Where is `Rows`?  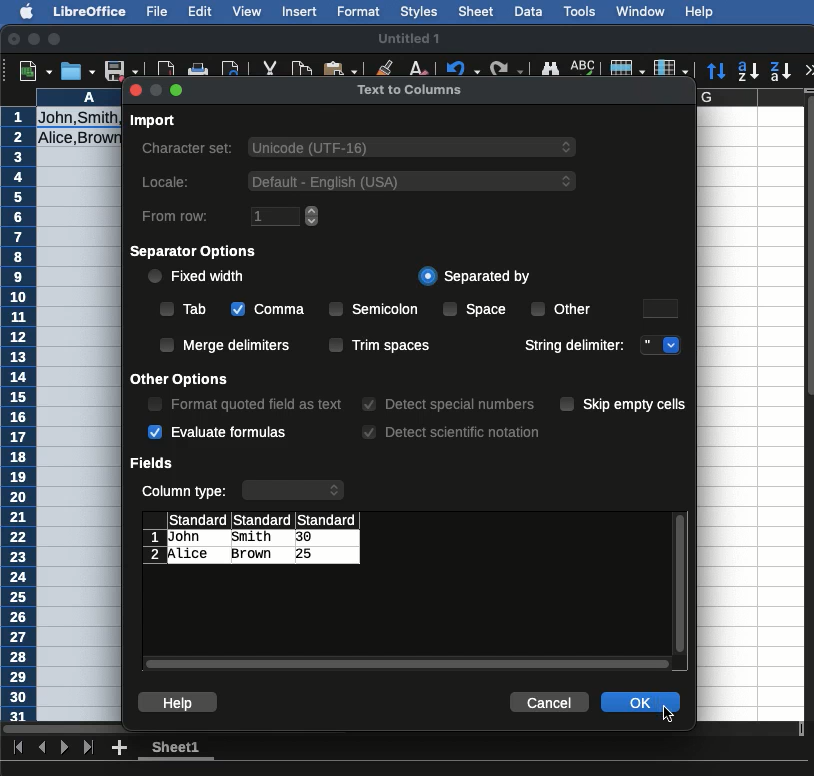 Rows is located at coordinates (628, 69).